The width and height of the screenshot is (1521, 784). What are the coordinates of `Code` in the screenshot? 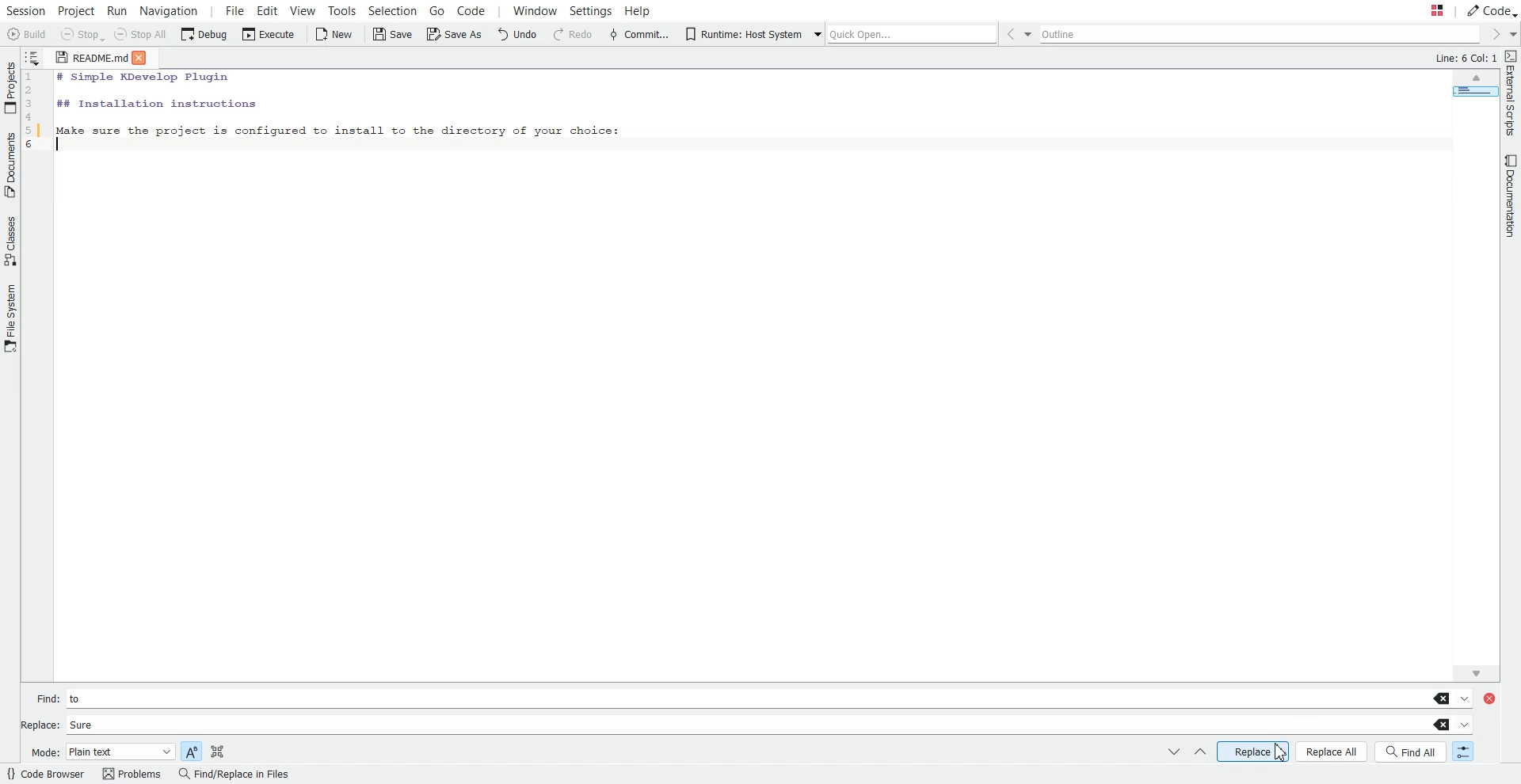 It's located at (1491, 10).